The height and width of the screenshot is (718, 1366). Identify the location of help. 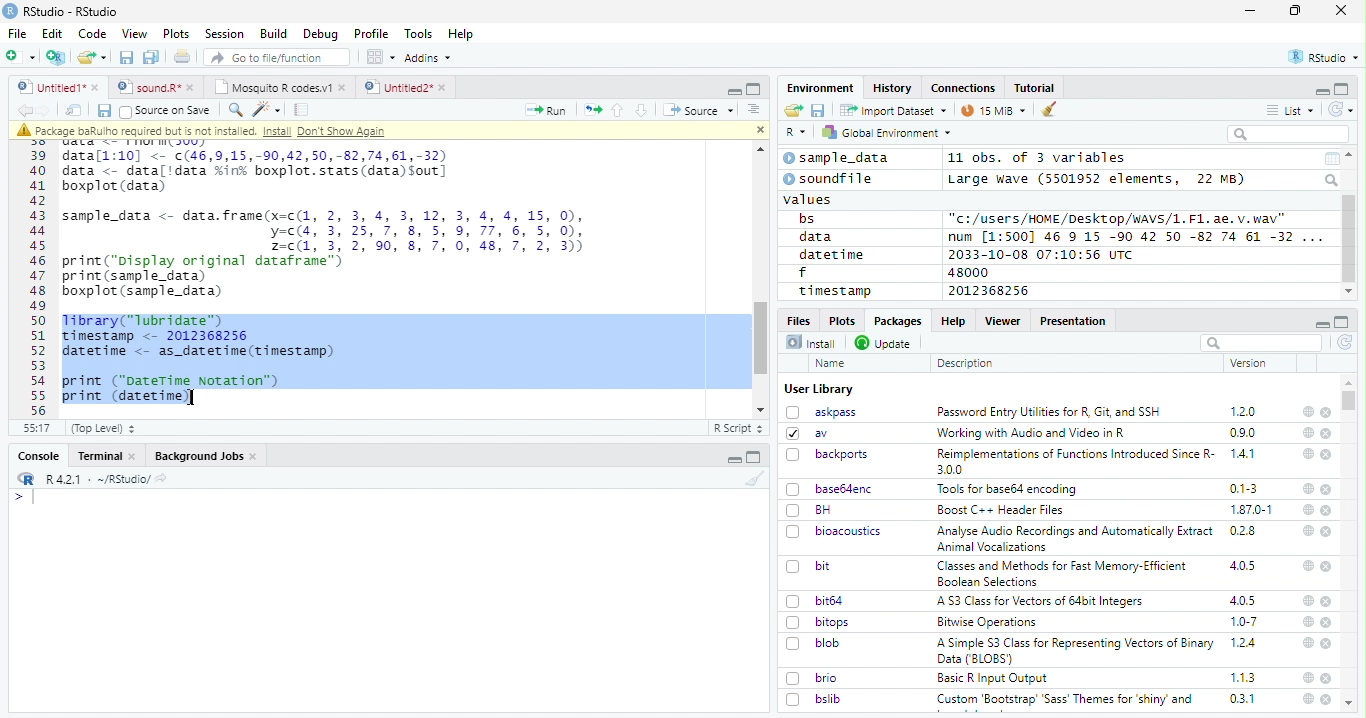
(1306, 530).